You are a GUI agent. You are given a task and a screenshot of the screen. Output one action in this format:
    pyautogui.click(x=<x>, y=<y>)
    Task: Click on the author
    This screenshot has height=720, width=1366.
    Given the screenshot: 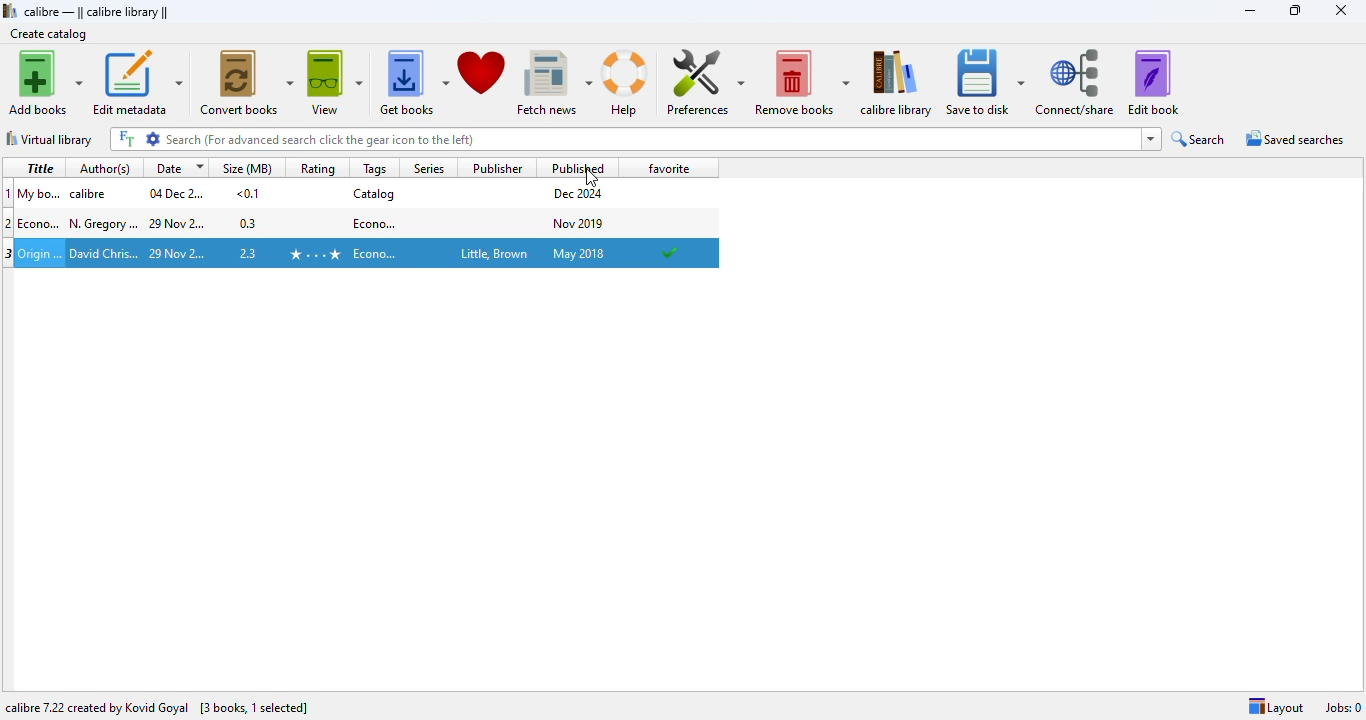 What is the action you would take?
    pyautogui.click(x=103, y=192)
    